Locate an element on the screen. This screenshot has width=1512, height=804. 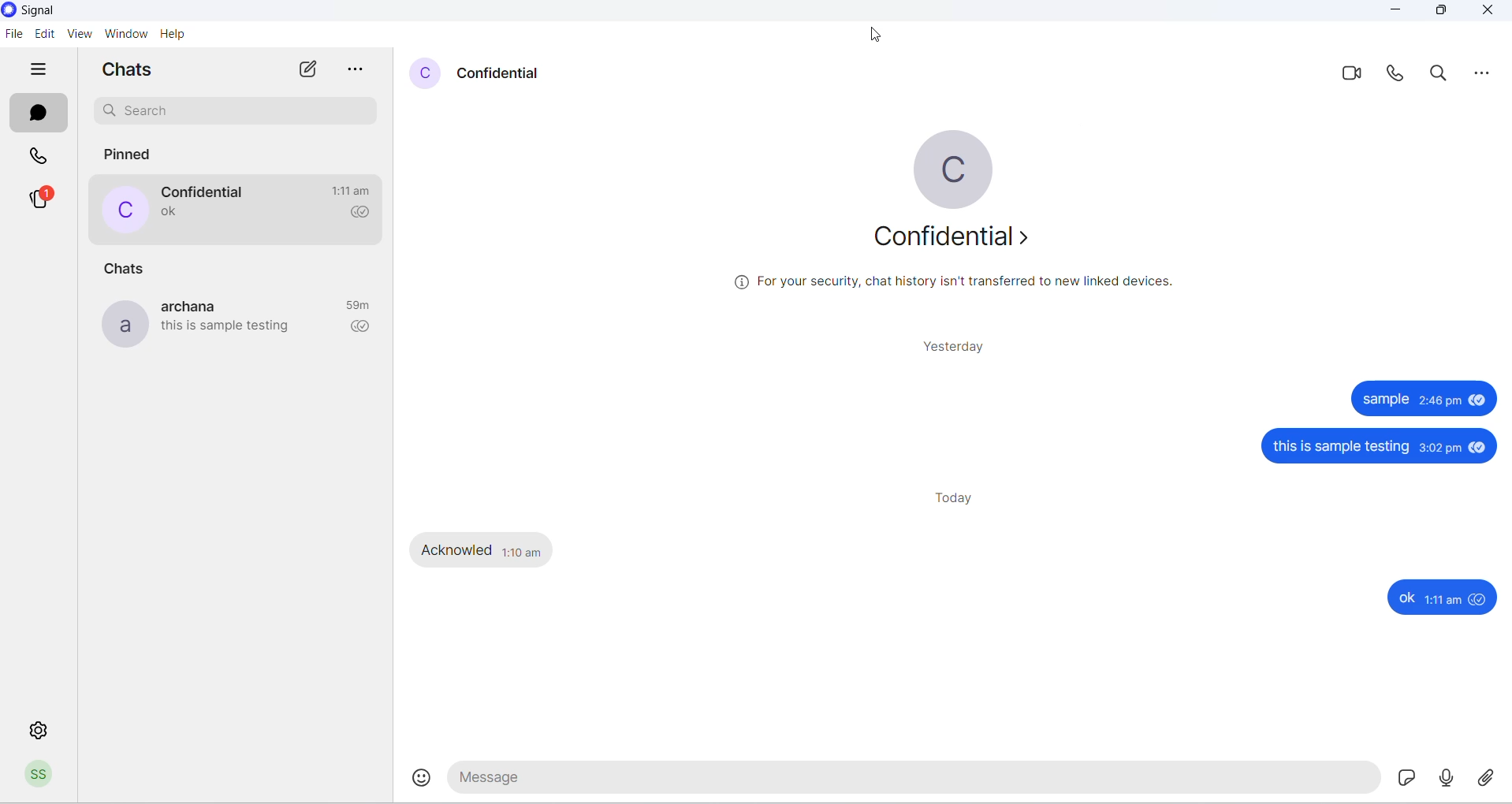
minimize is located at coordinates (1394, 13).